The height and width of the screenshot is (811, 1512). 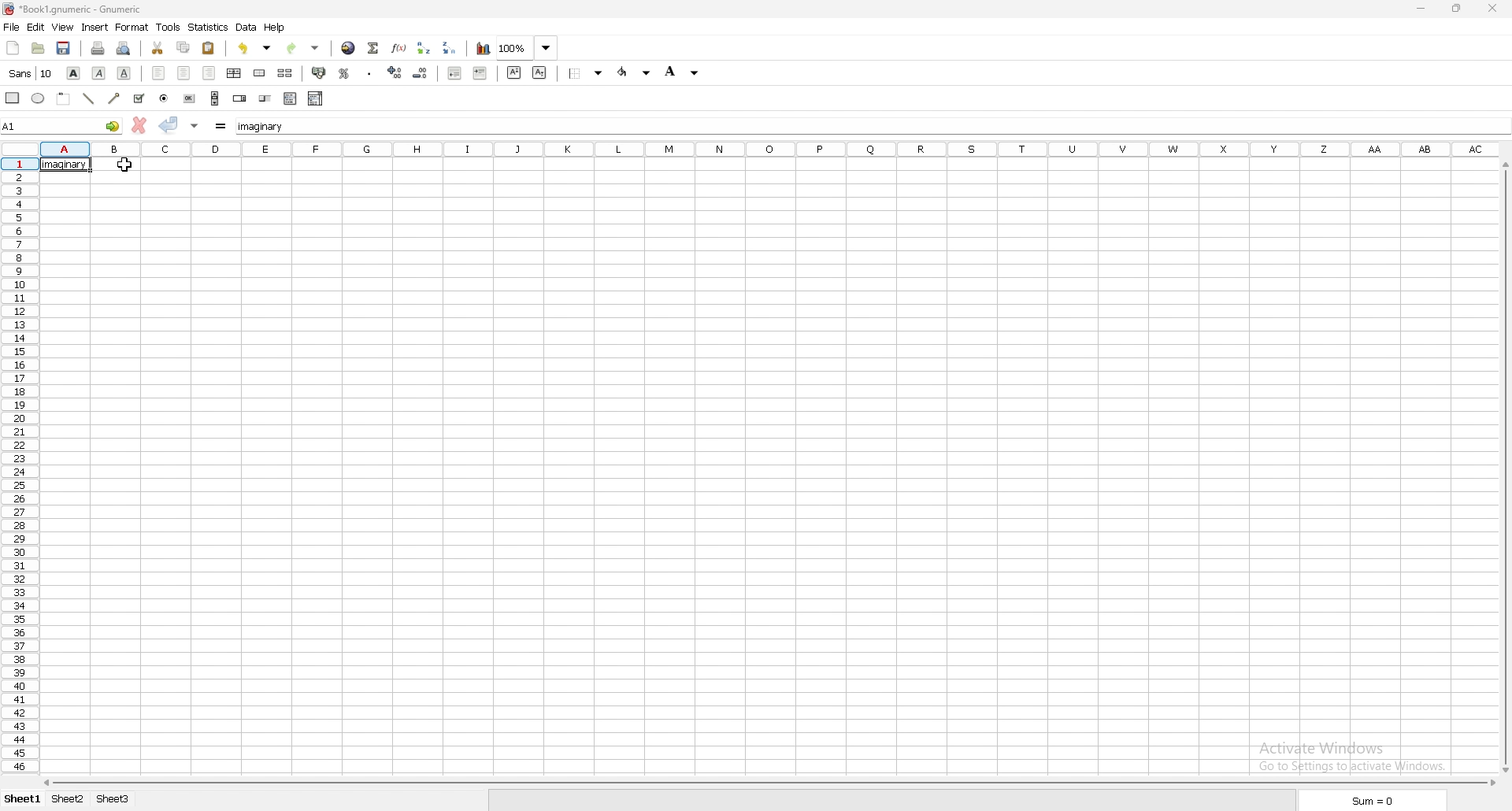 What do you see at coordinates (209, 26) in the screenshot?
I see `statistics` at bounding box center [209, 26].